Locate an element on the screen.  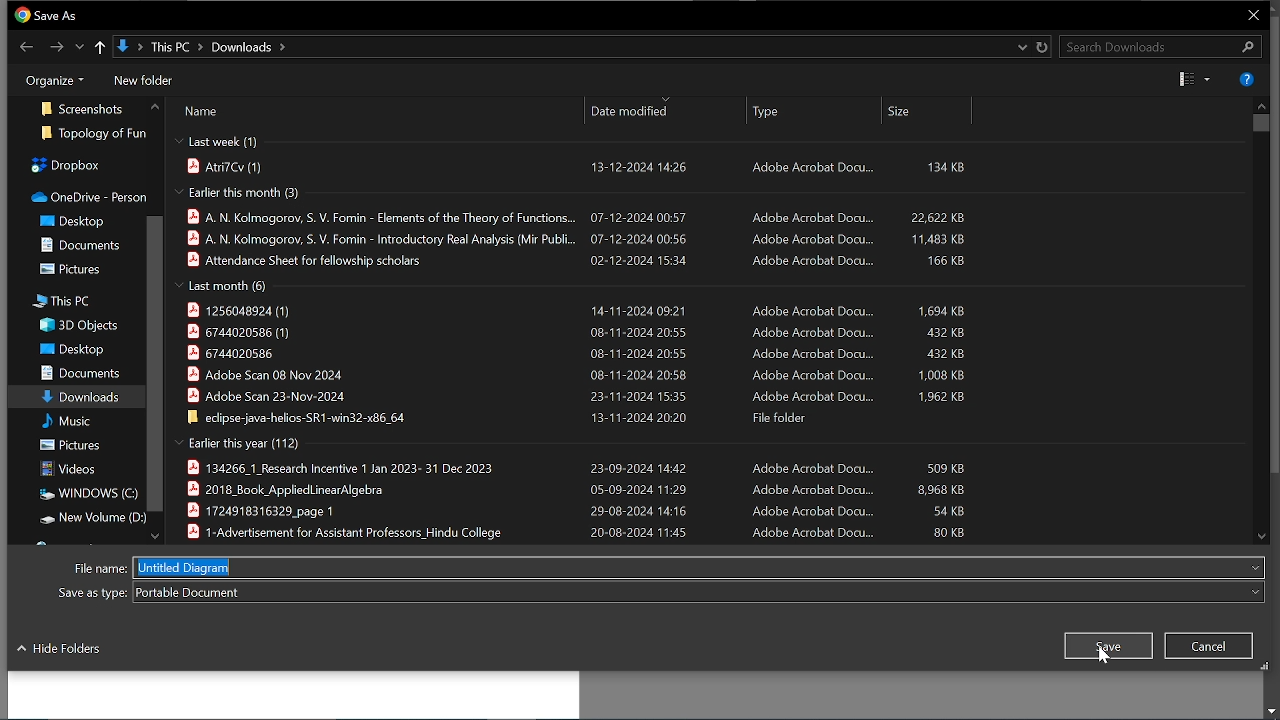
N 6744020586 is located at coordinates (233, 353).